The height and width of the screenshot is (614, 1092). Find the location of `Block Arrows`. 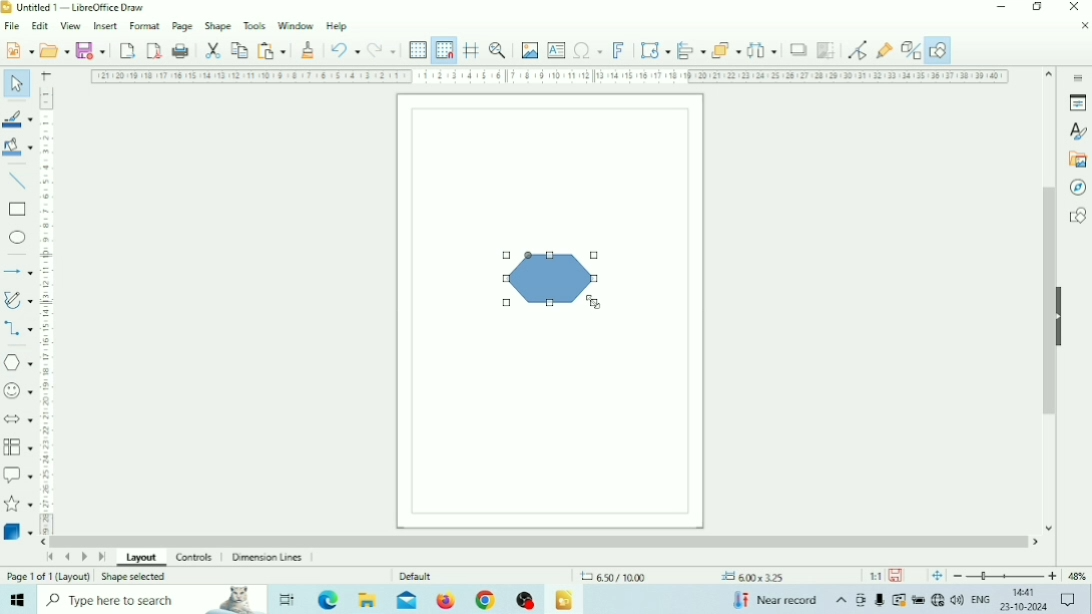

Block Arrows is located at coordinates (18, 418).